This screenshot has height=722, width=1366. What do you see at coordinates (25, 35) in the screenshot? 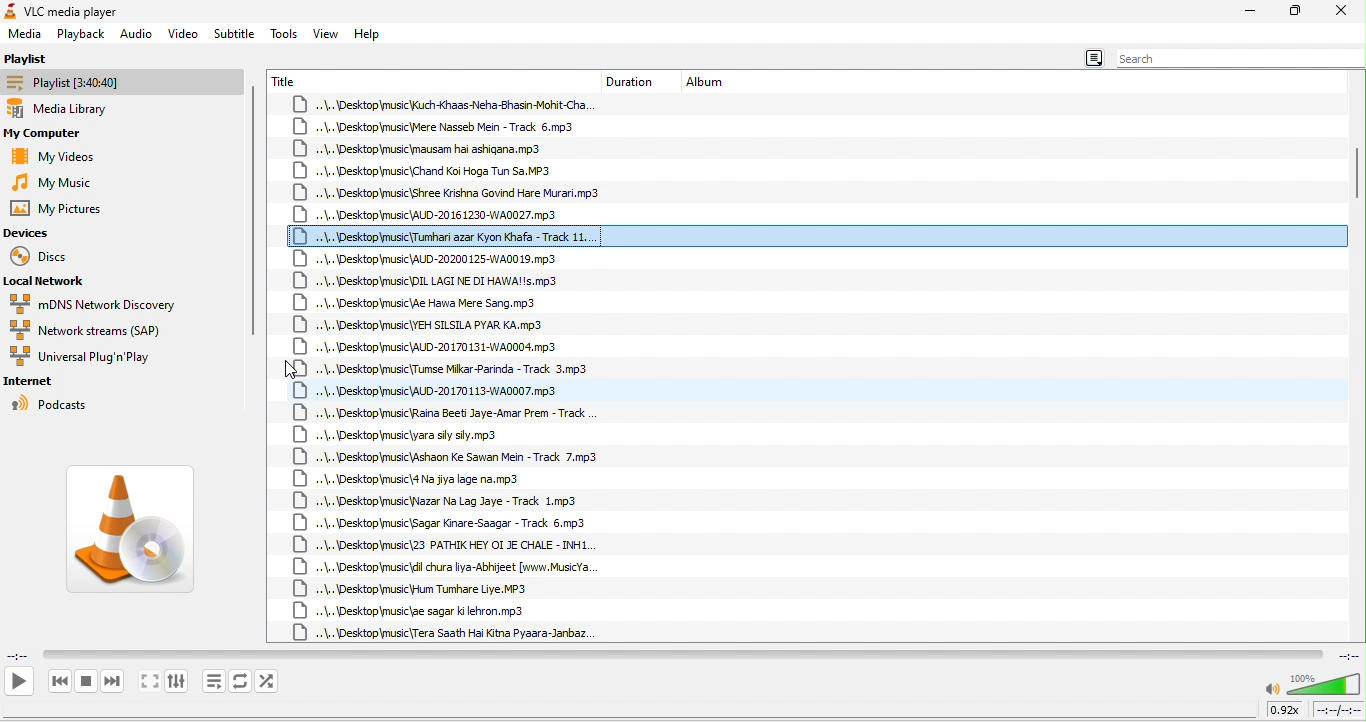
I see `media` at bounding box center [25, 35].